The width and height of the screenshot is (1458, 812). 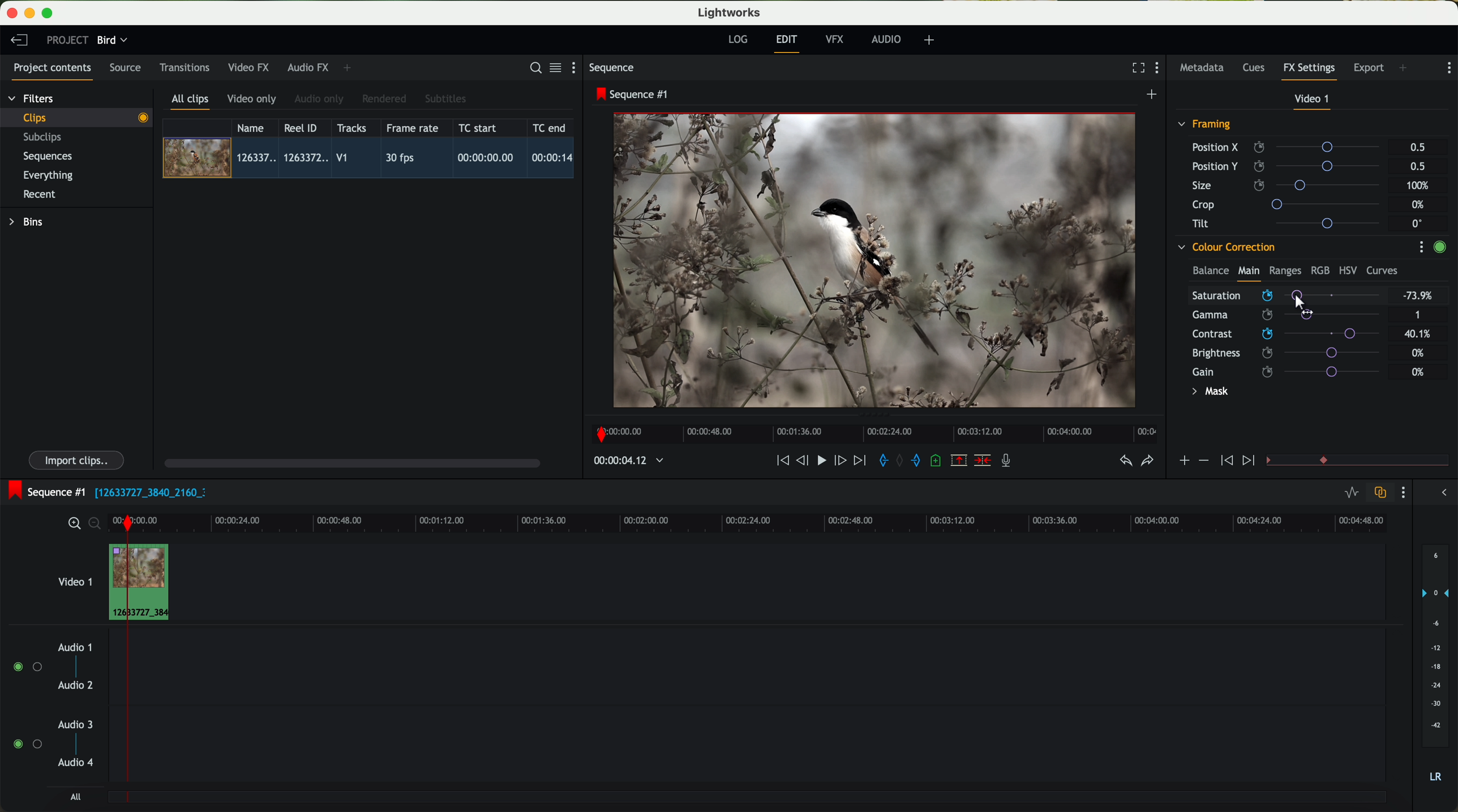 What do you see at coordinates (1257, 68) in the screenshot?
I see `cues` at bounding box center [1257, 68].